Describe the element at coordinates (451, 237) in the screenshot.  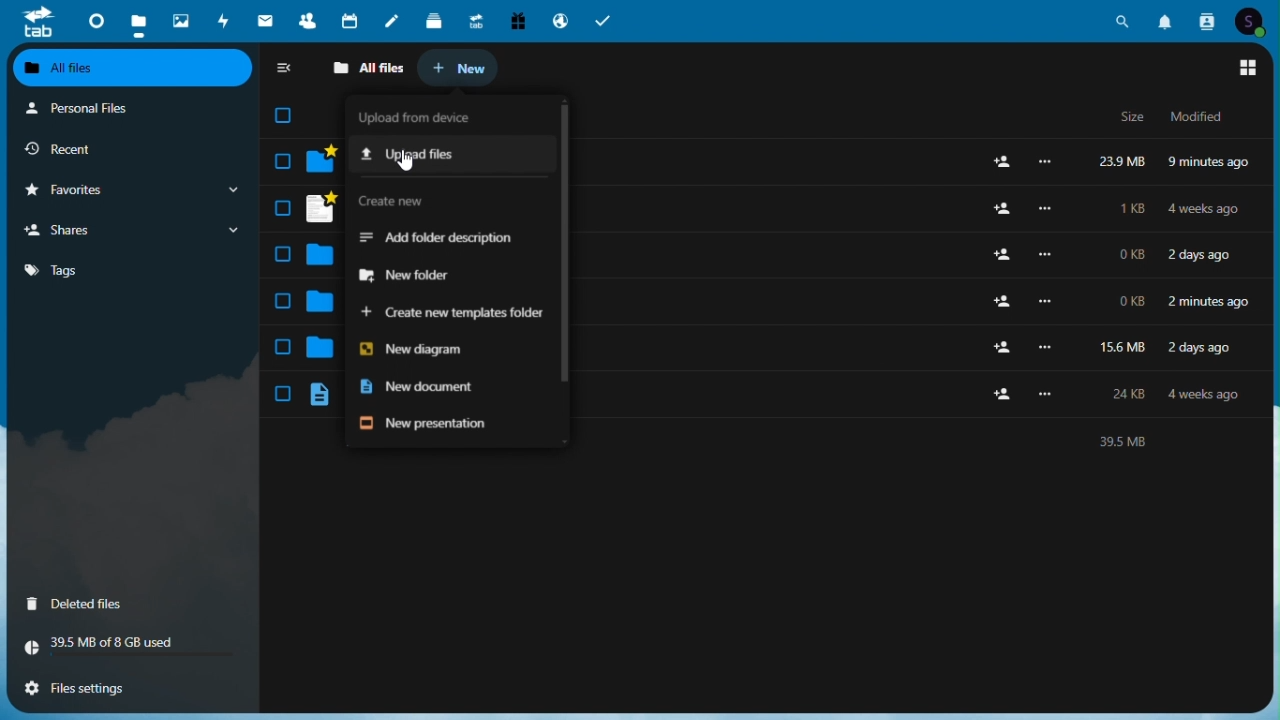
I see `Add folder description` at that location.